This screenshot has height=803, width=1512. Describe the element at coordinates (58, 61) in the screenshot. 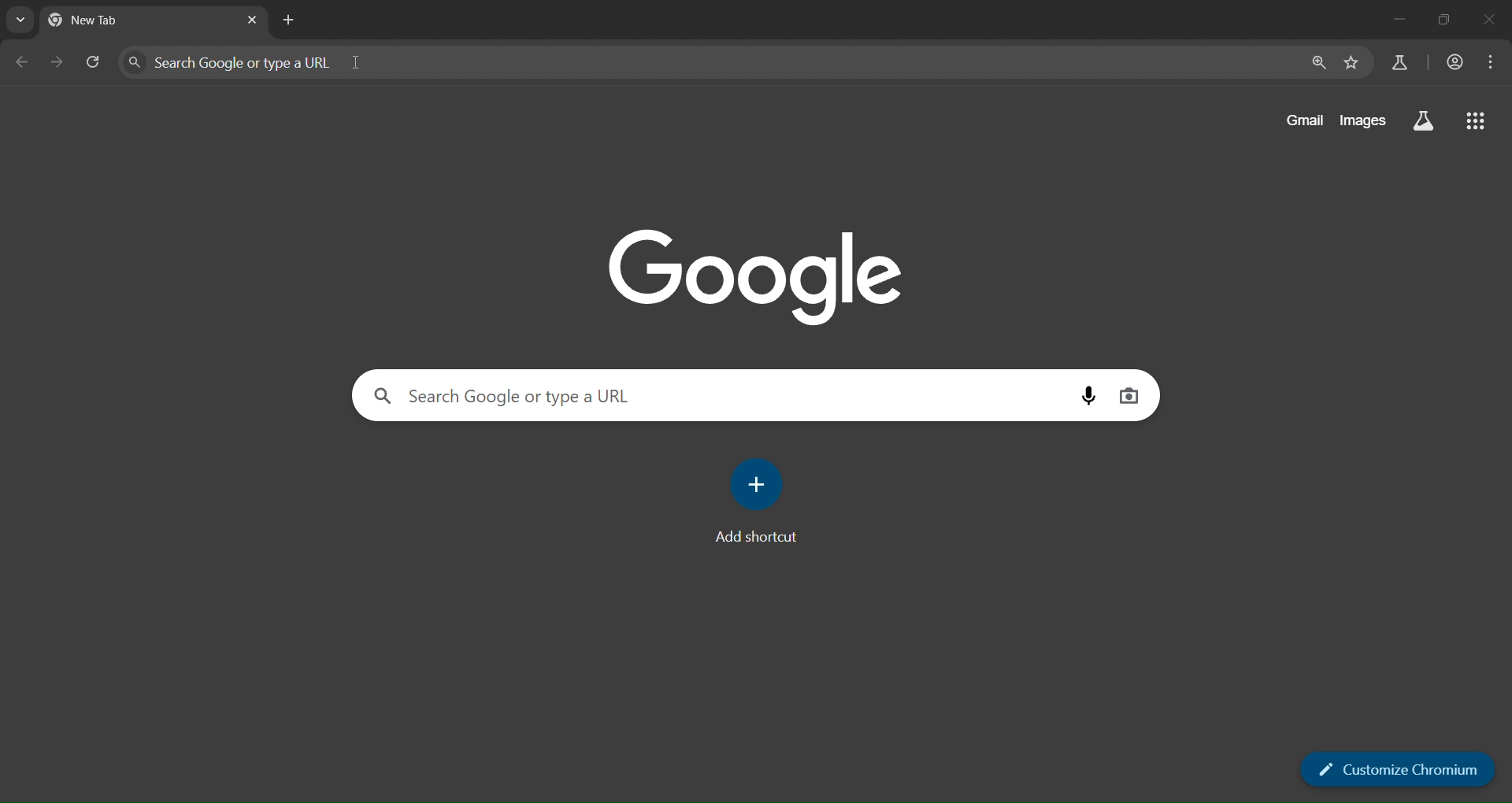

I see `go forward one page` at that location.